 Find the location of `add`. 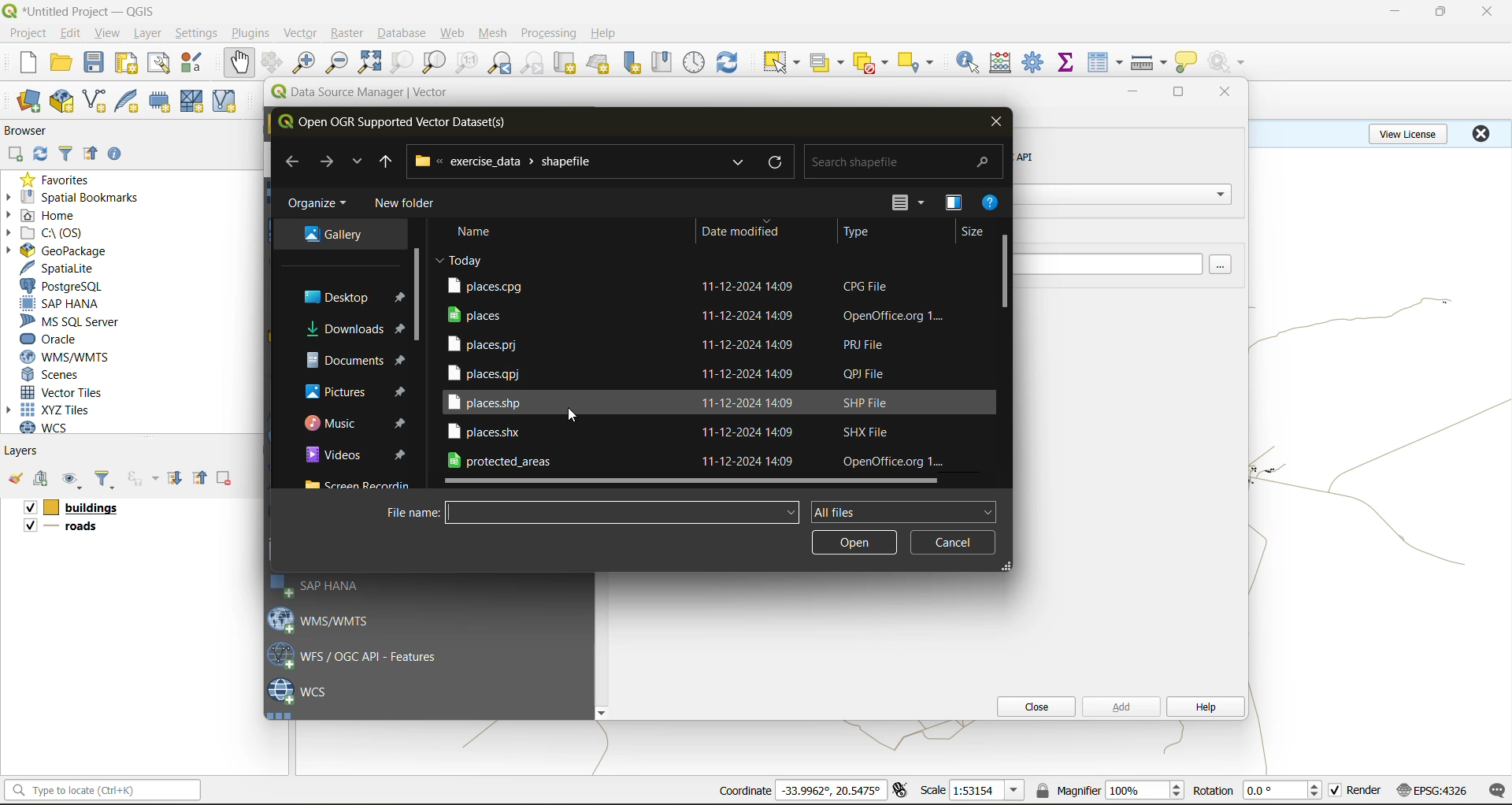

add is located at coordinates (1119, 706).